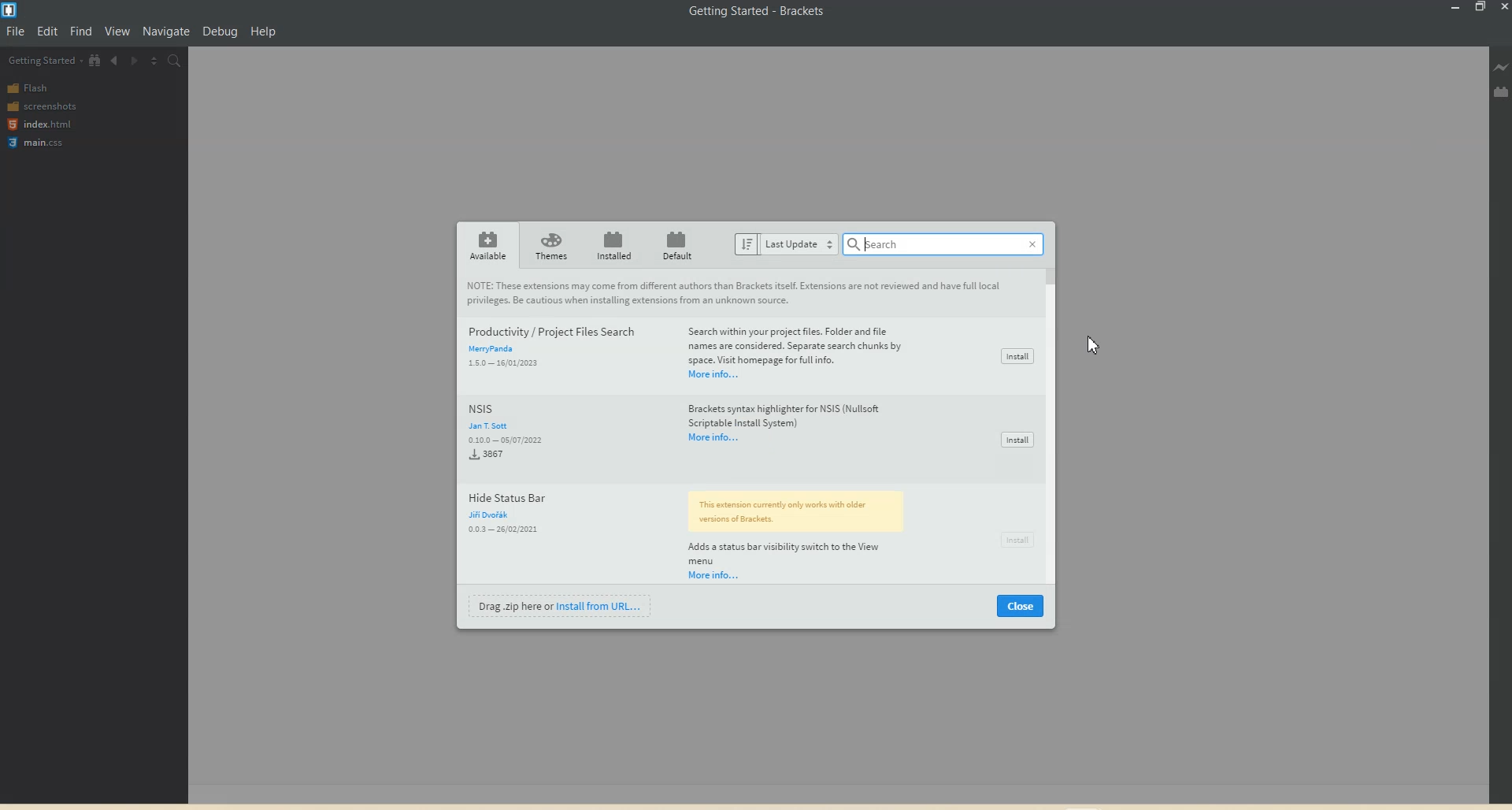  Describe the element at coordinates (676, 244) in the screenshot. I see `Default` at that location.